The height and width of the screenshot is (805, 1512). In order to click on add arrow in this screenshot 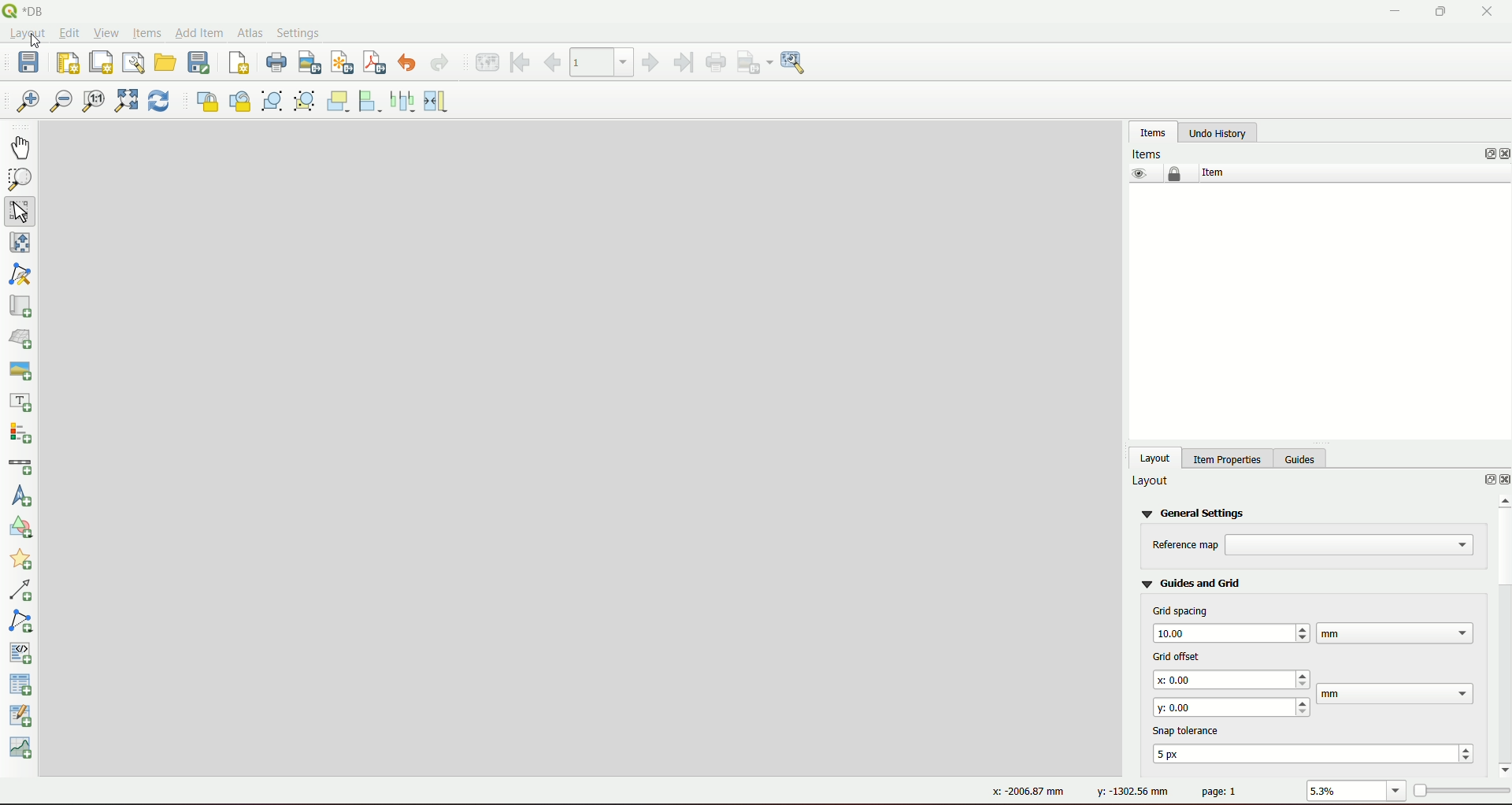, I will do `click(24, 592)`.